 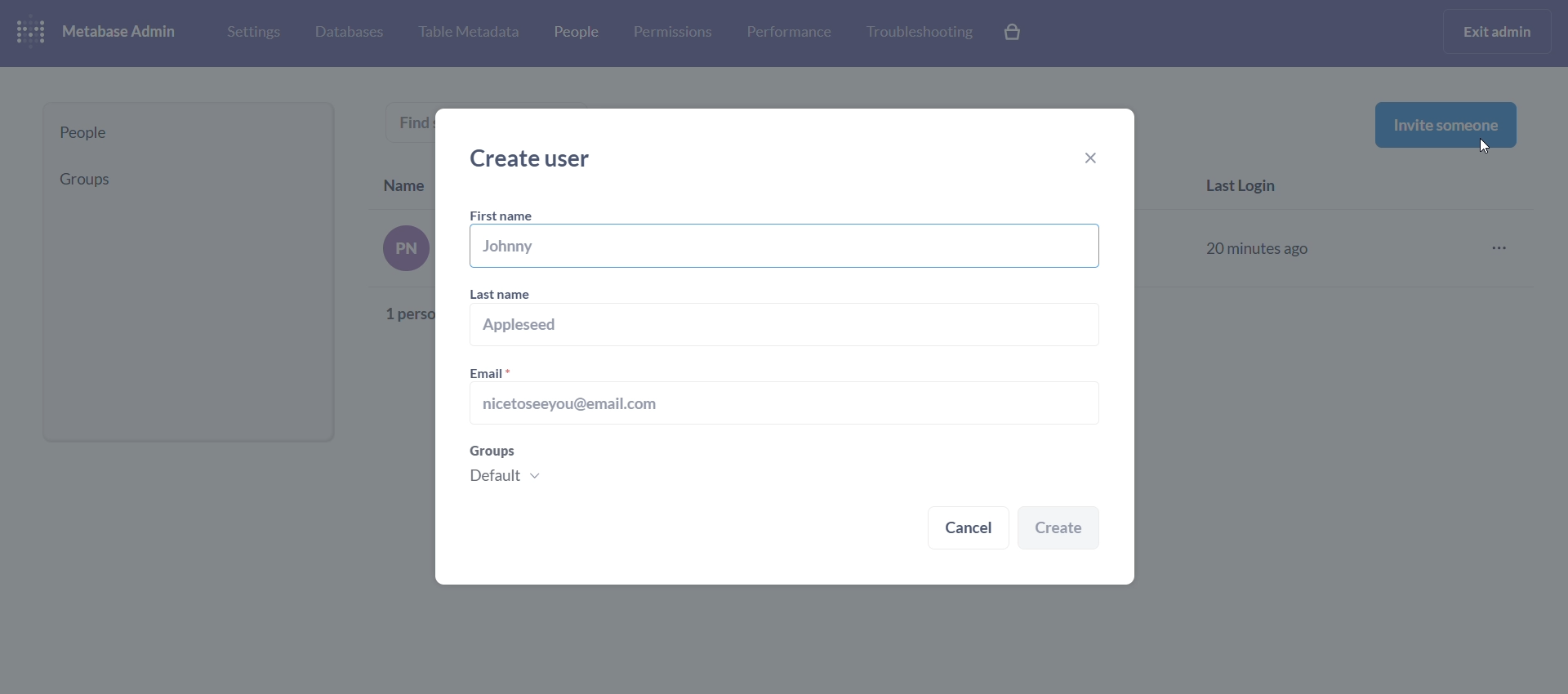 I want to click on exit admin, so click(x=1500, y=31).